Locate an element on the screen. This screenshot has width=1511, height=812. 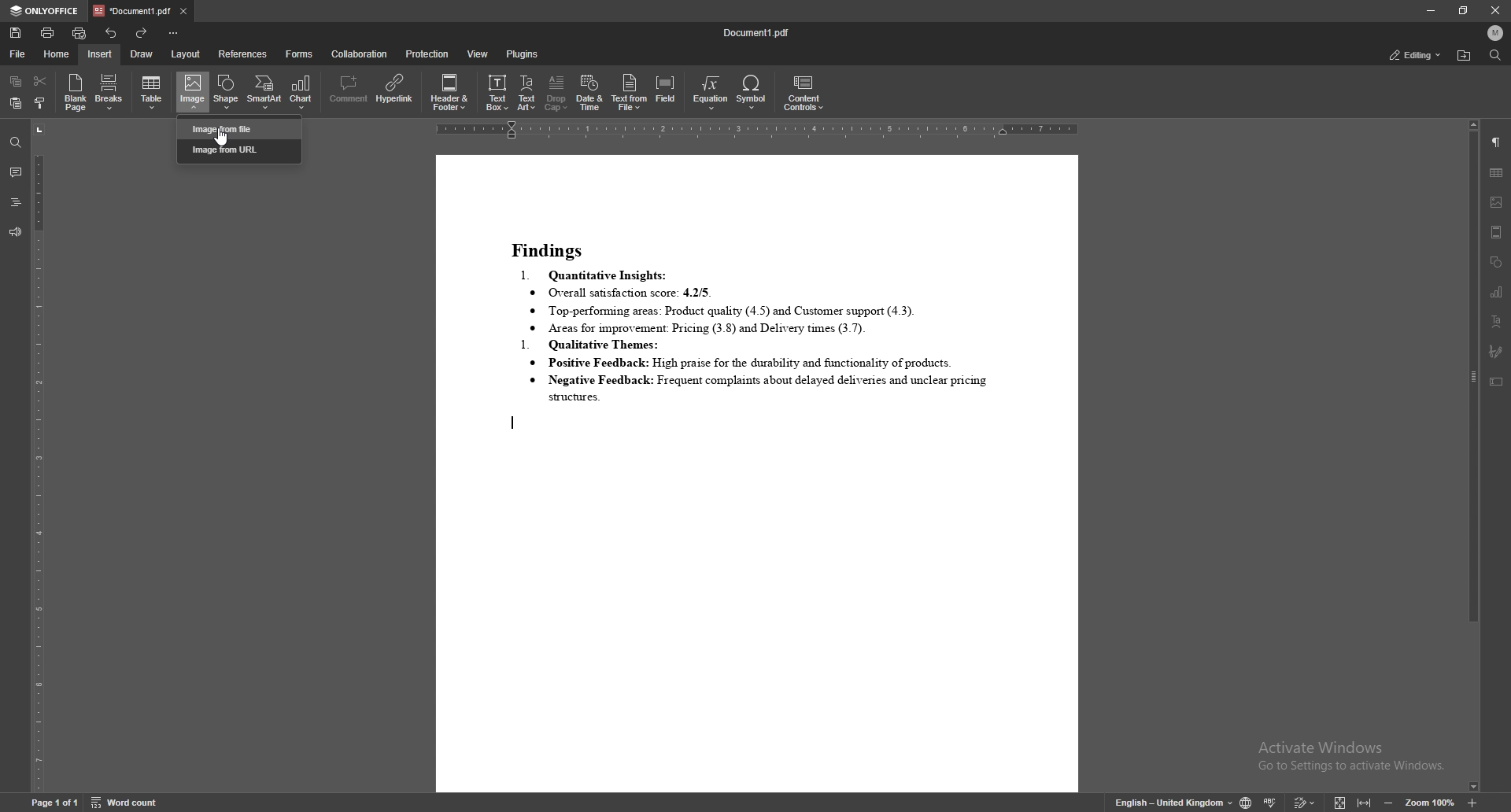
hyperlink is located at coordinates (393, 90).